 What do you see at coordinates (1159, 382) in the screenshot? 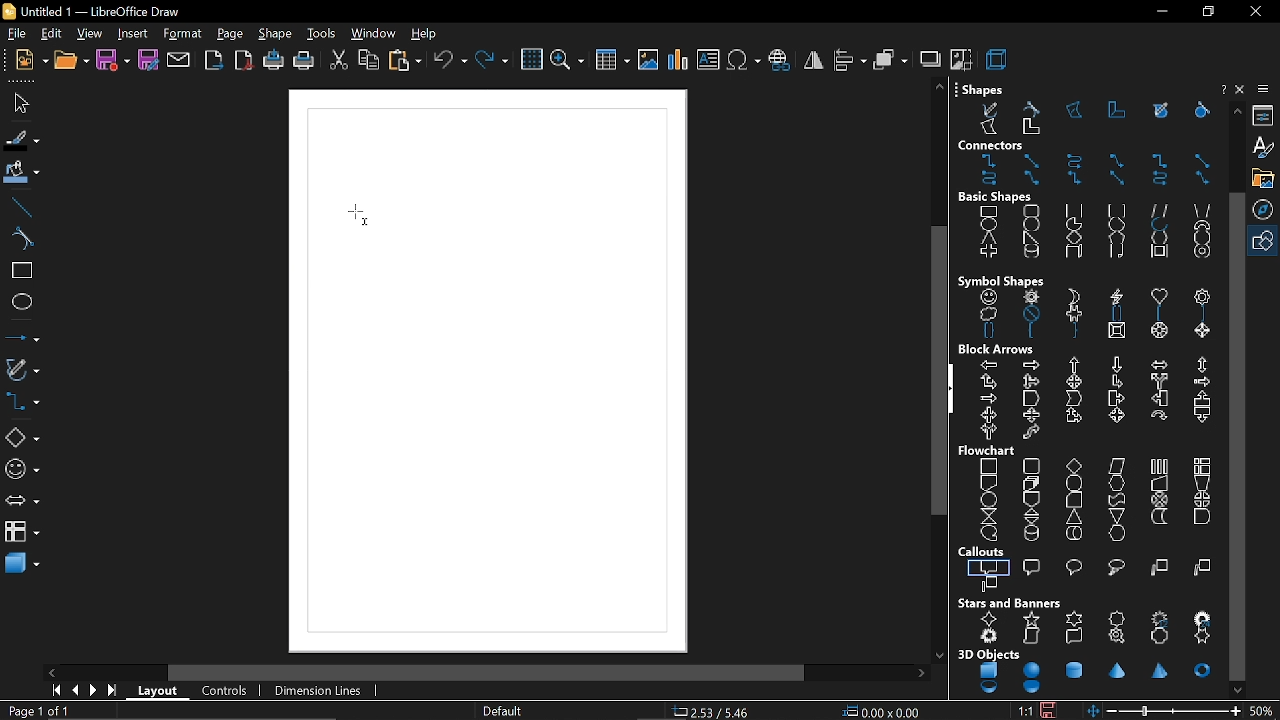
I see `split arrow` at bounding box center [1159, 382].